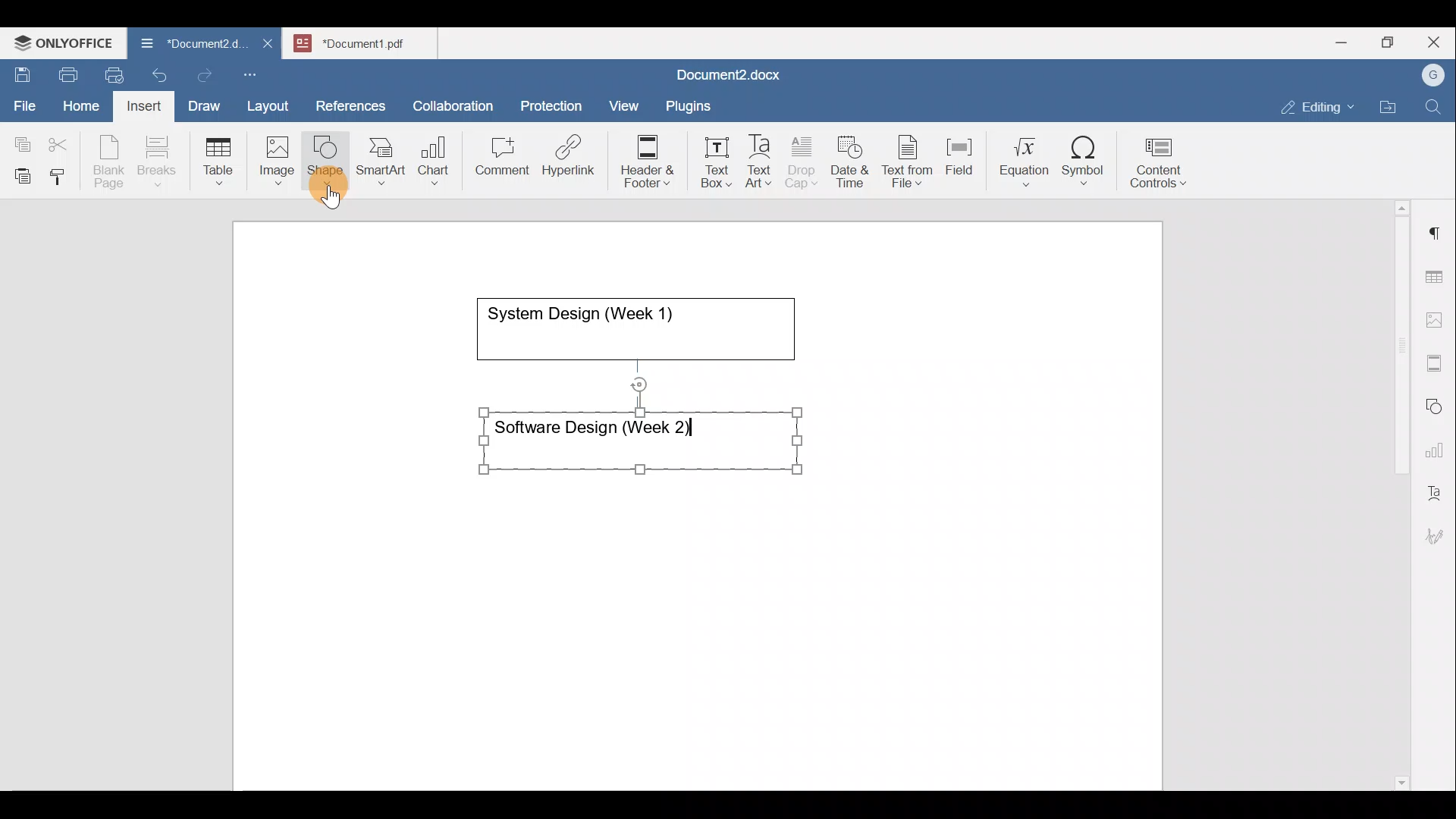 The image size is (1456, 819). Describe the element at coordinates (1436, 43) in the screenshot. I see `Close` at that location.